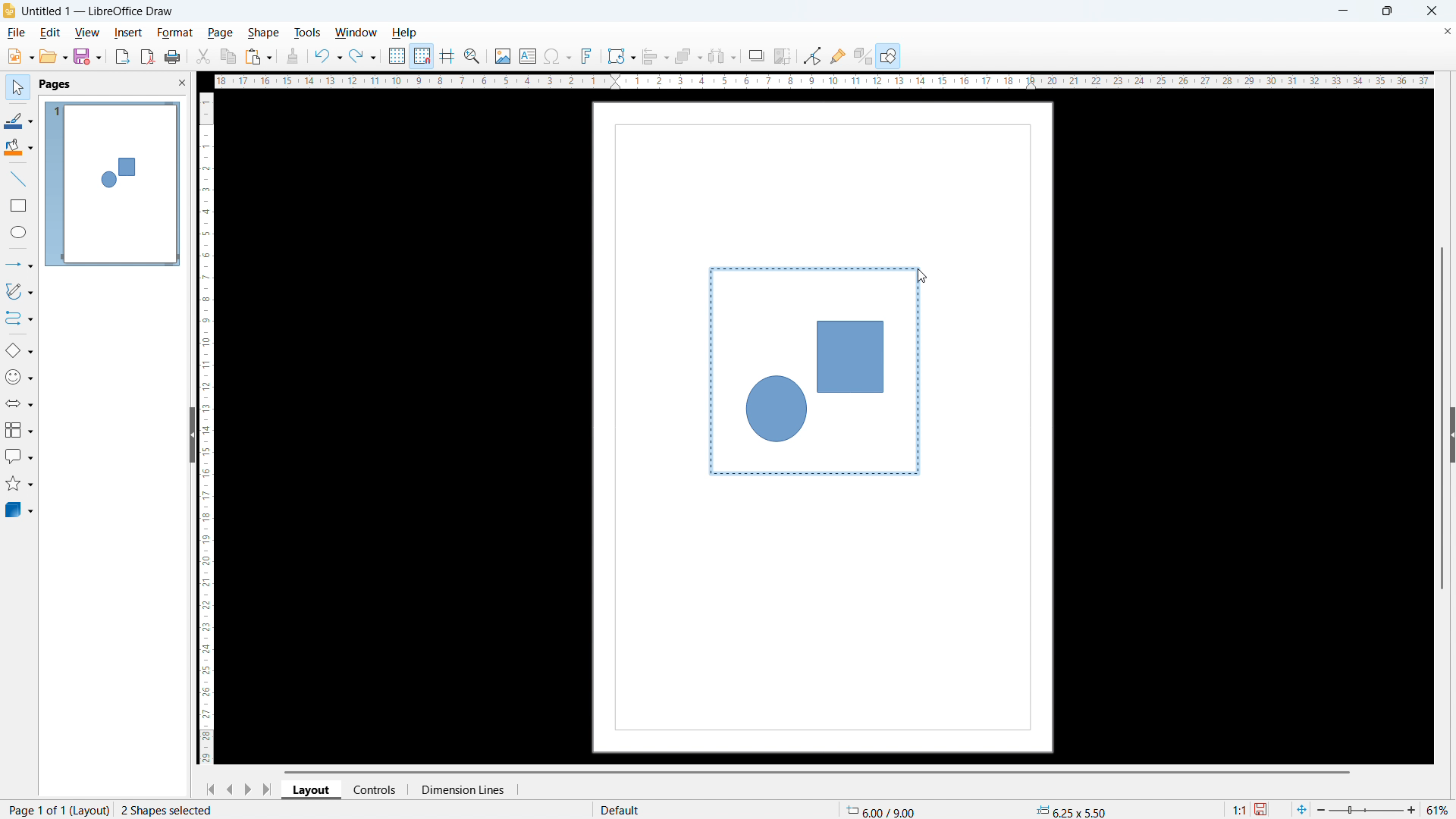 Image resolution: width=1456 pixels, height=819 pixels. I want to click on align, so click(654, 57).